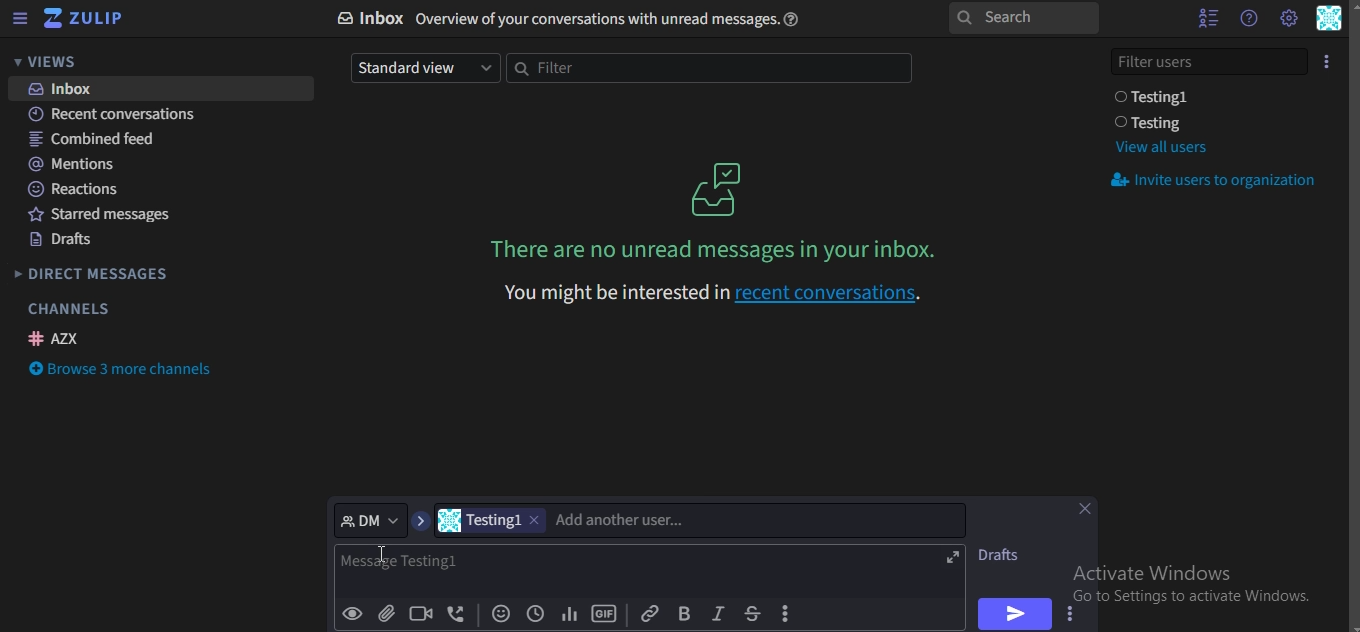 This screenshot has width=1360, height=632. Describe the element at coordinates (1211, 59) in the screenshot. I see `filter users` at that location.